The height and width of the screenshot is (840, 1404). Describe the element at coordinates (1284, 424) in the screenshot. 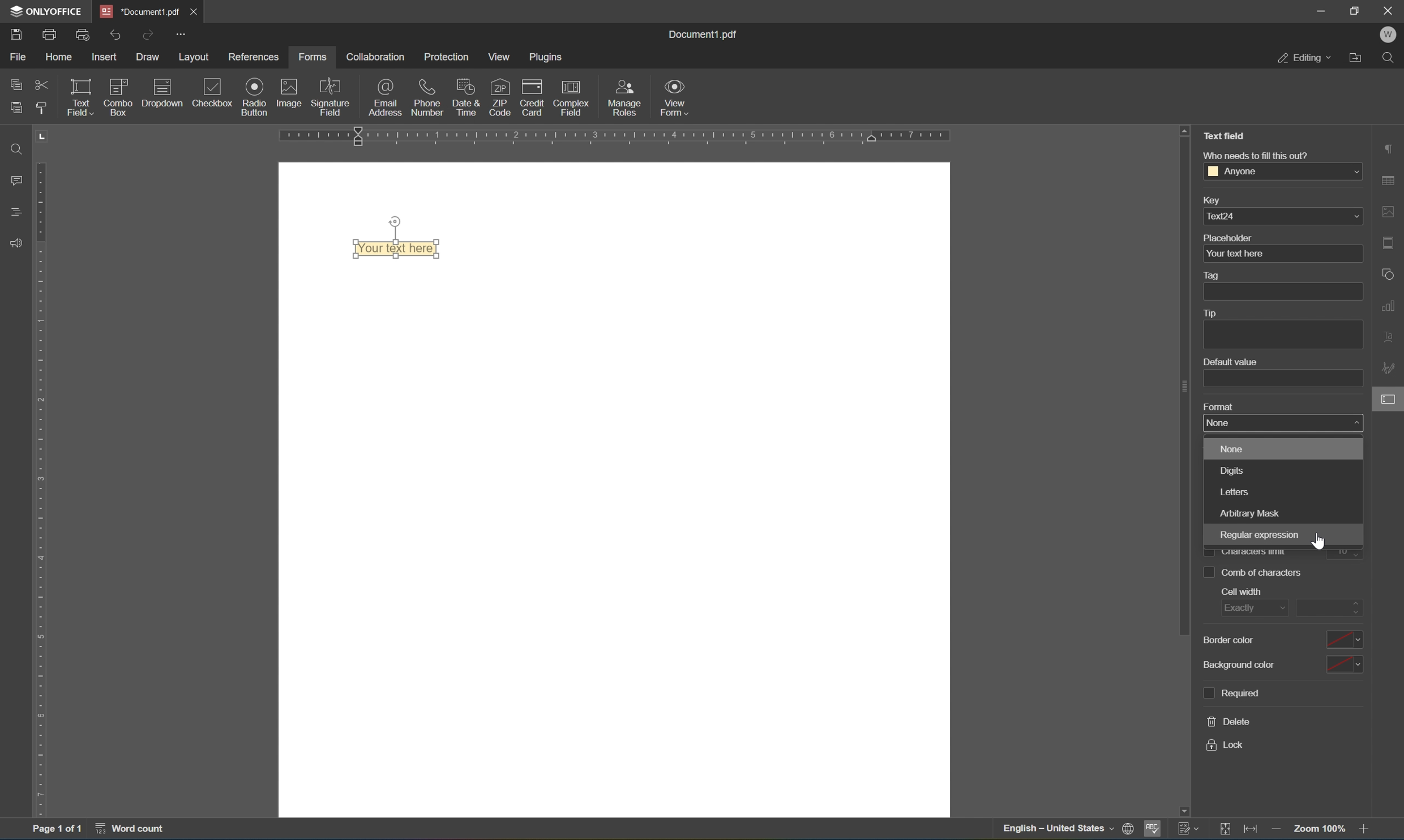

I see `none` at that location.